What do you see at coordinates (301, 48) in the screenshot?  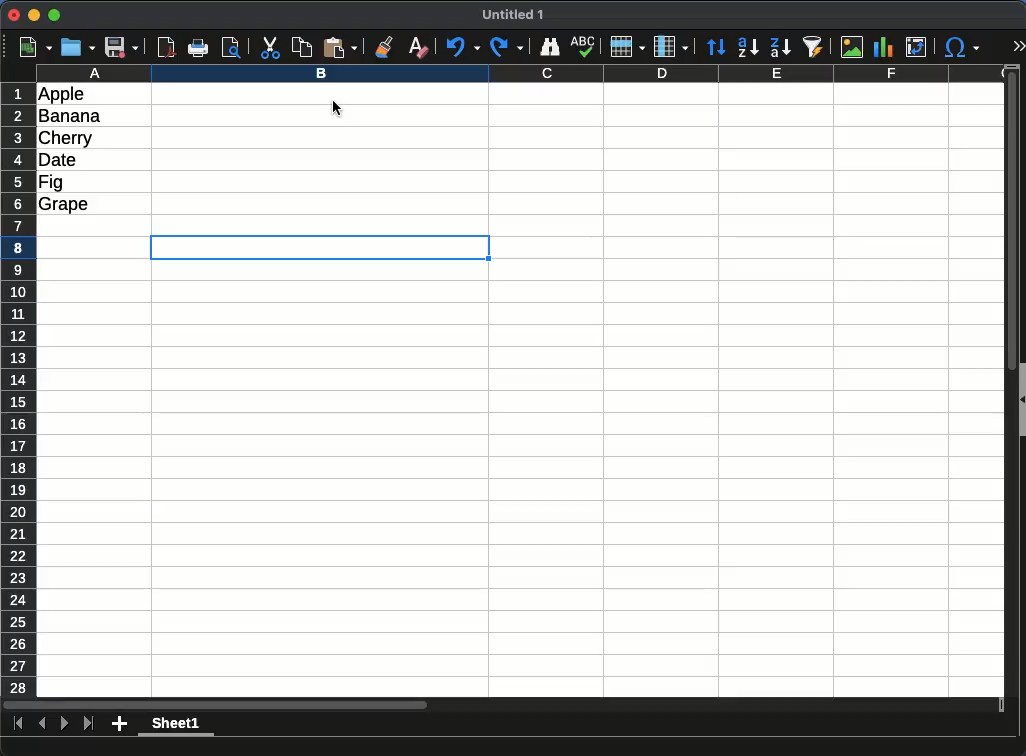 I see `copy` at bounding box center [301, 48].